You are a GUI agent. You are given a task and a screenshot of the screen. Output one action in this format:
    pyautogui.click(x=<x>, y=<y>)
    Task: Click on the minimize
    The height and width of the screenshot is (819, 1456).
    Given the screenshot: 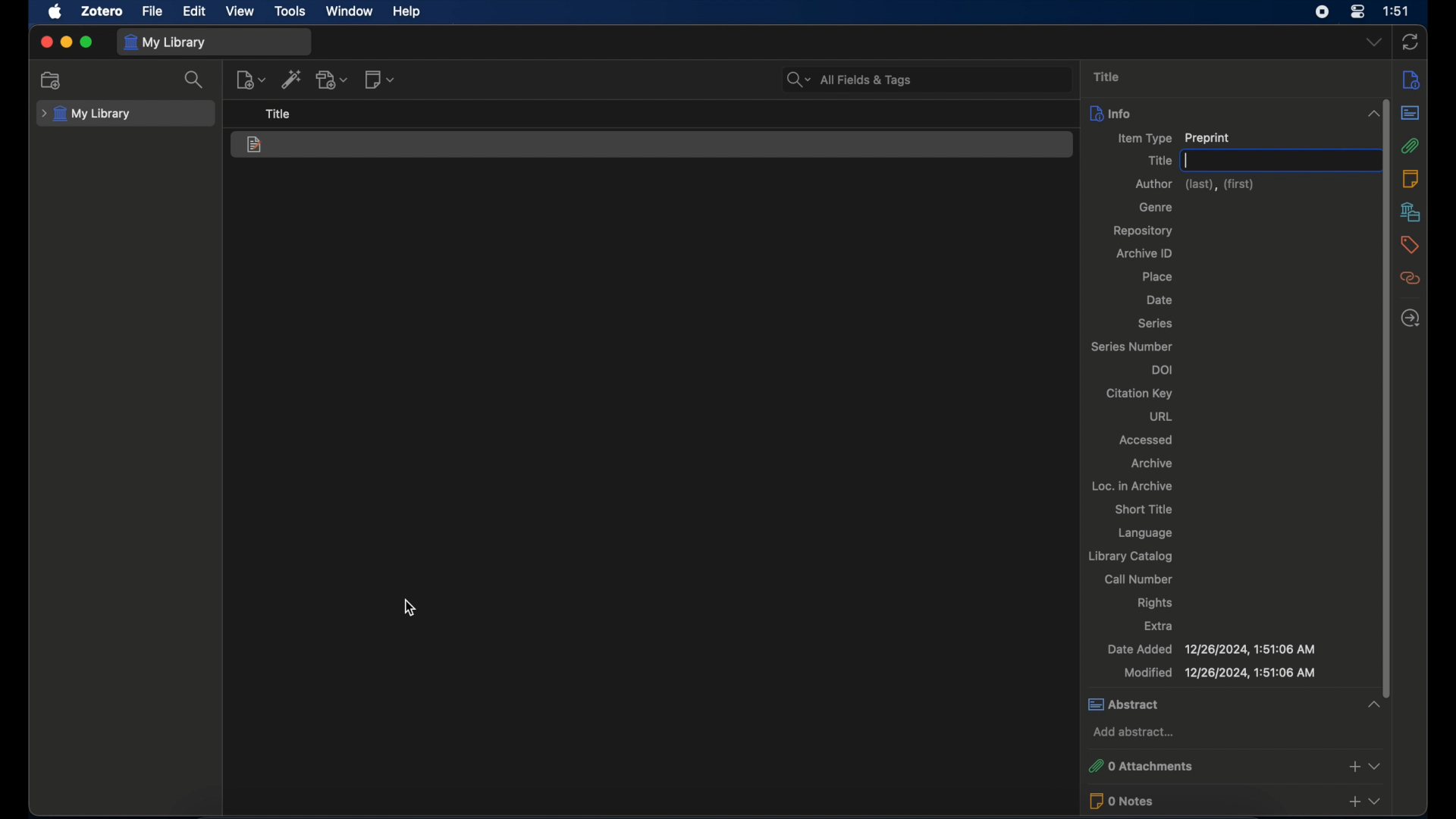 What is the action you would take?
    pyautogui.click(x=65, y=42)
    